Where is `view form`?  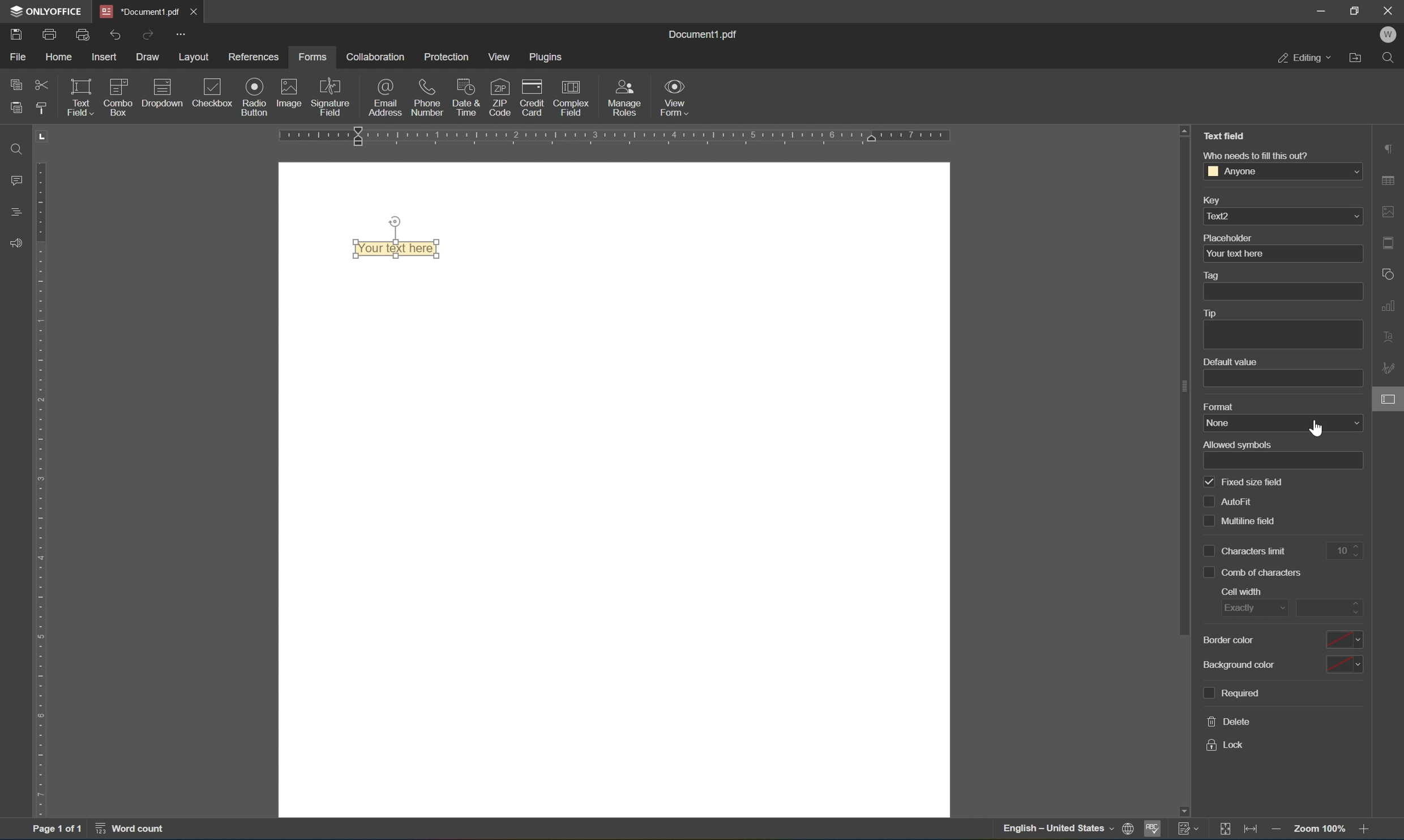
view form is located at coordinates (677, 97).